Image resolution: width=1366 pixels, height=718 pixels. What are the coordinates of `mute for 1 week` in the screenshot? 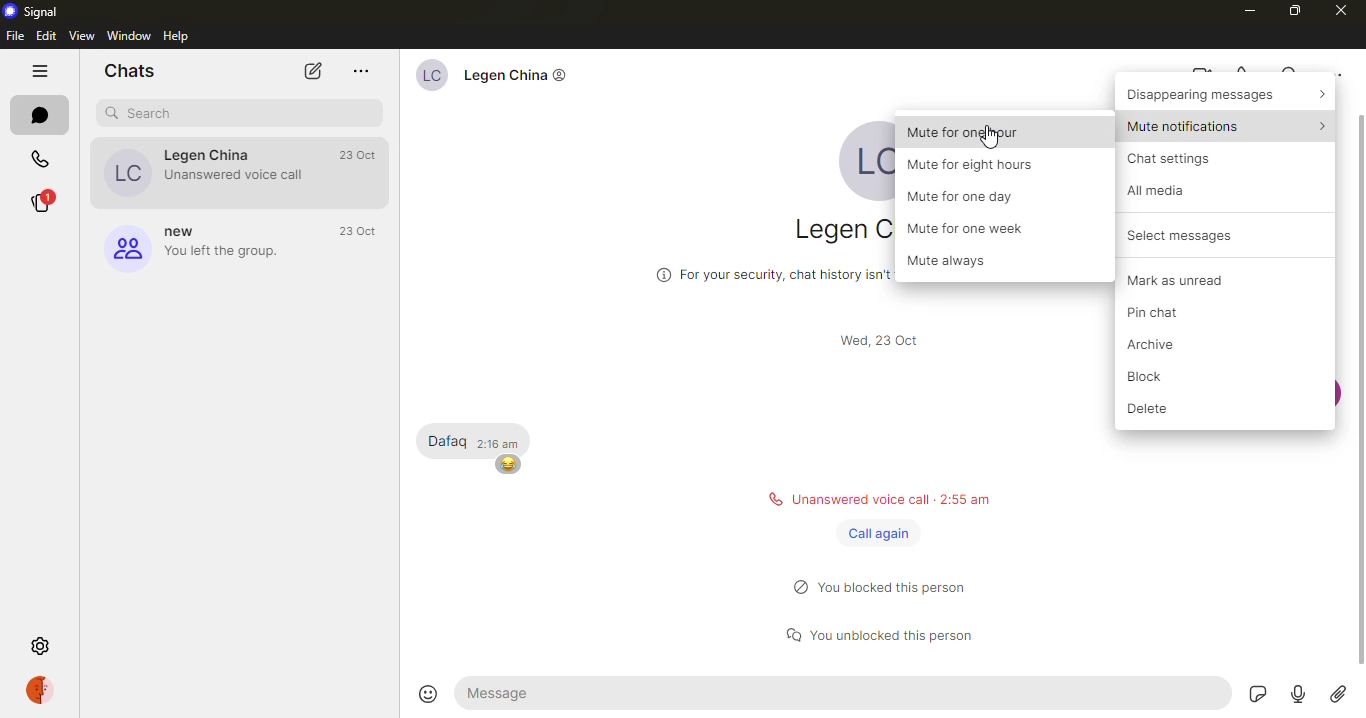 It's located at (973, 228).